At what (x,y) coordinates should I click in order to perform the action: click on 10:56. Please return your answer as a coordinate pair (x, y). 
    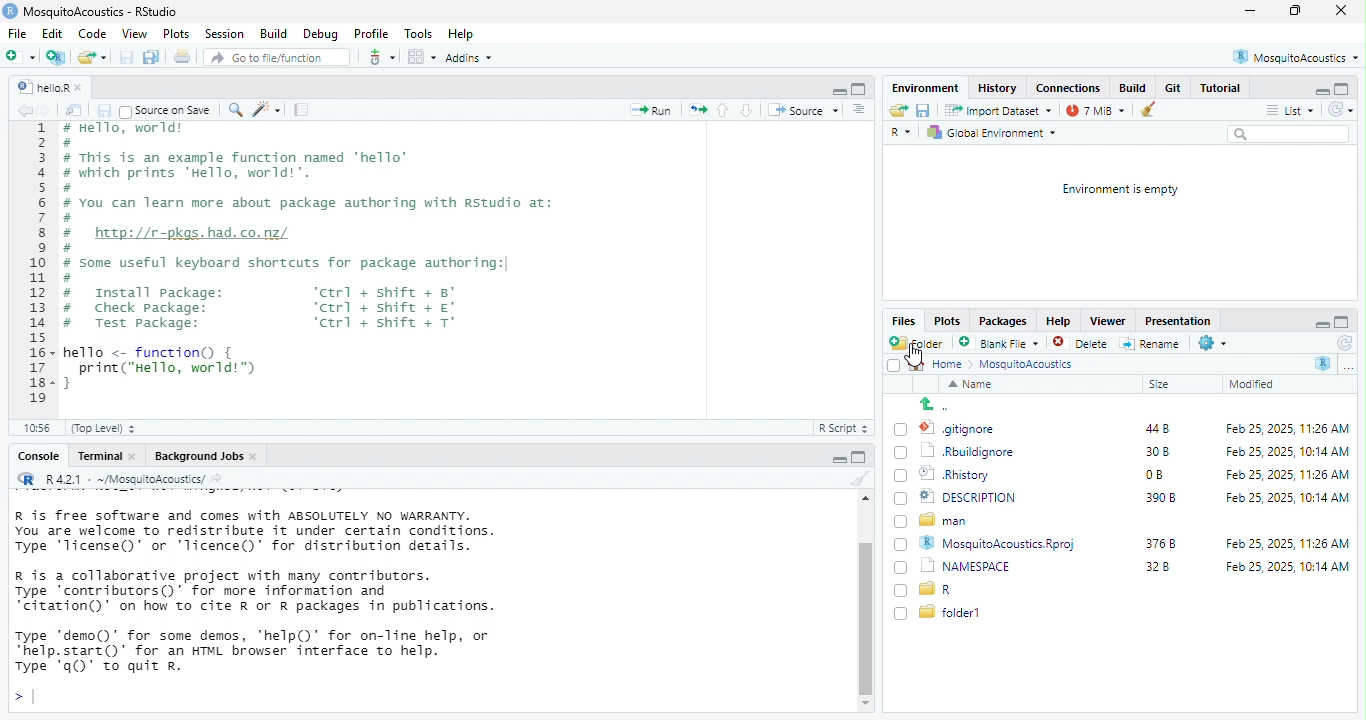
    Looking at the image, I should click on (41, 428).